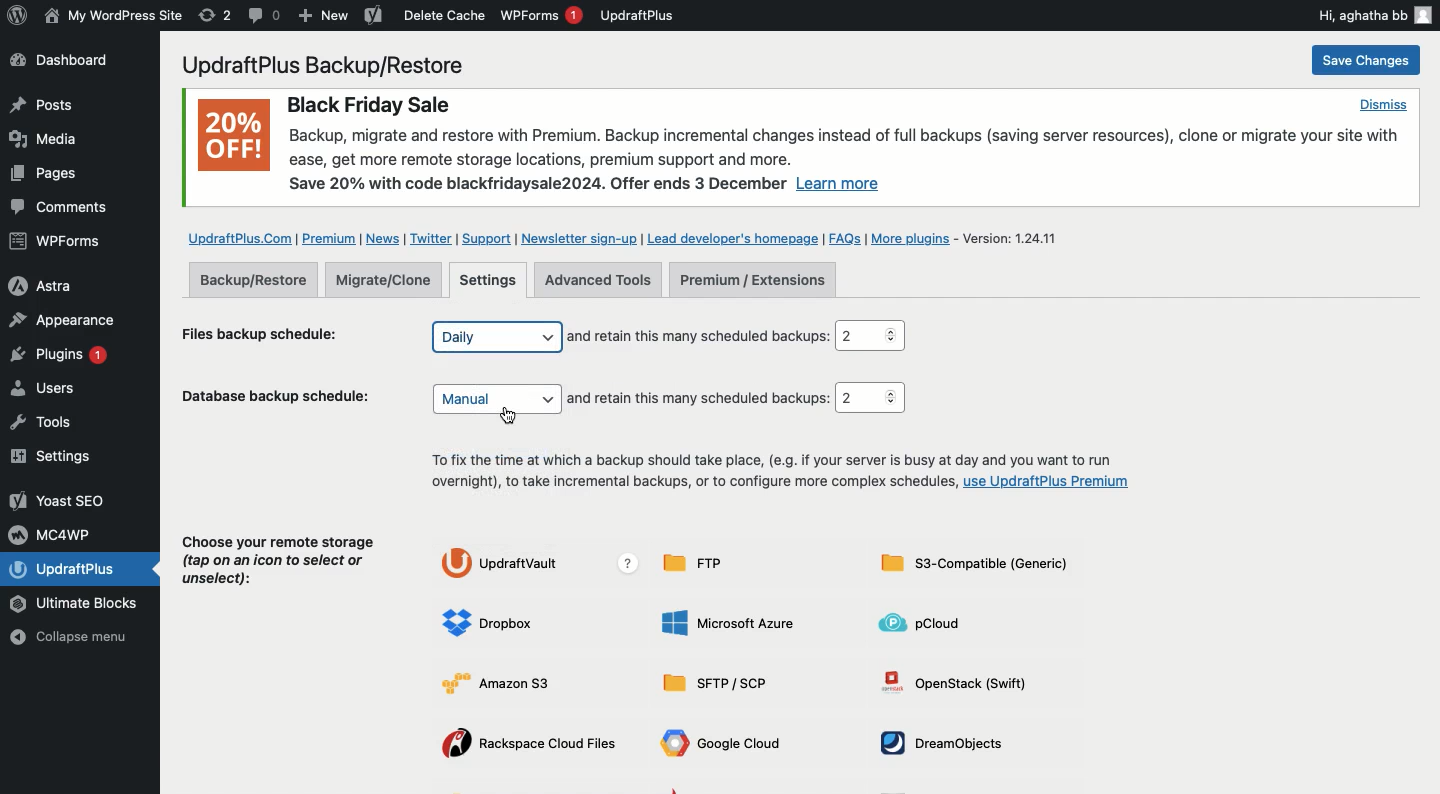 This screenshot has width=1440, height=794. Describe the element at coordinates (367, 102) in the screenshot. I see `Black Friday Sale` at that location.